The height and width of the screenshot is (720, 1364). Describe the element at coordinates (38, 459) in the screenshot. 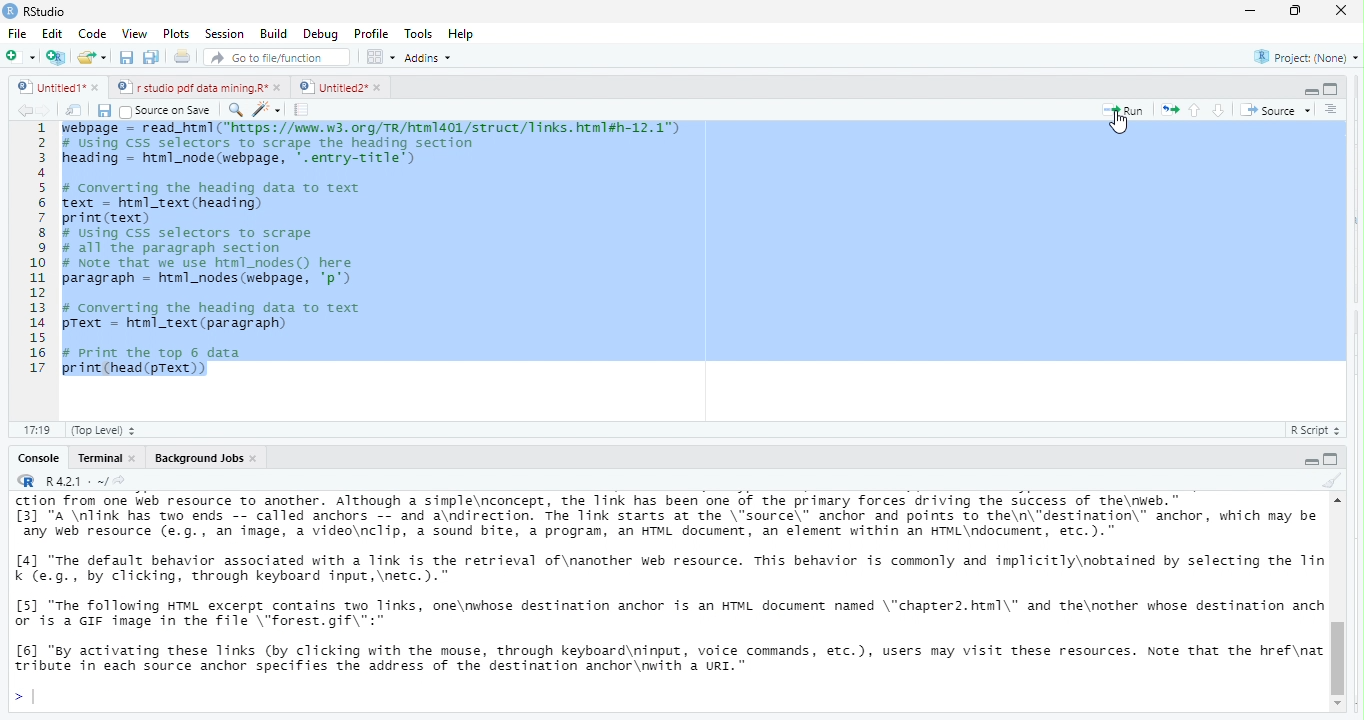

I see `Console` at that location.